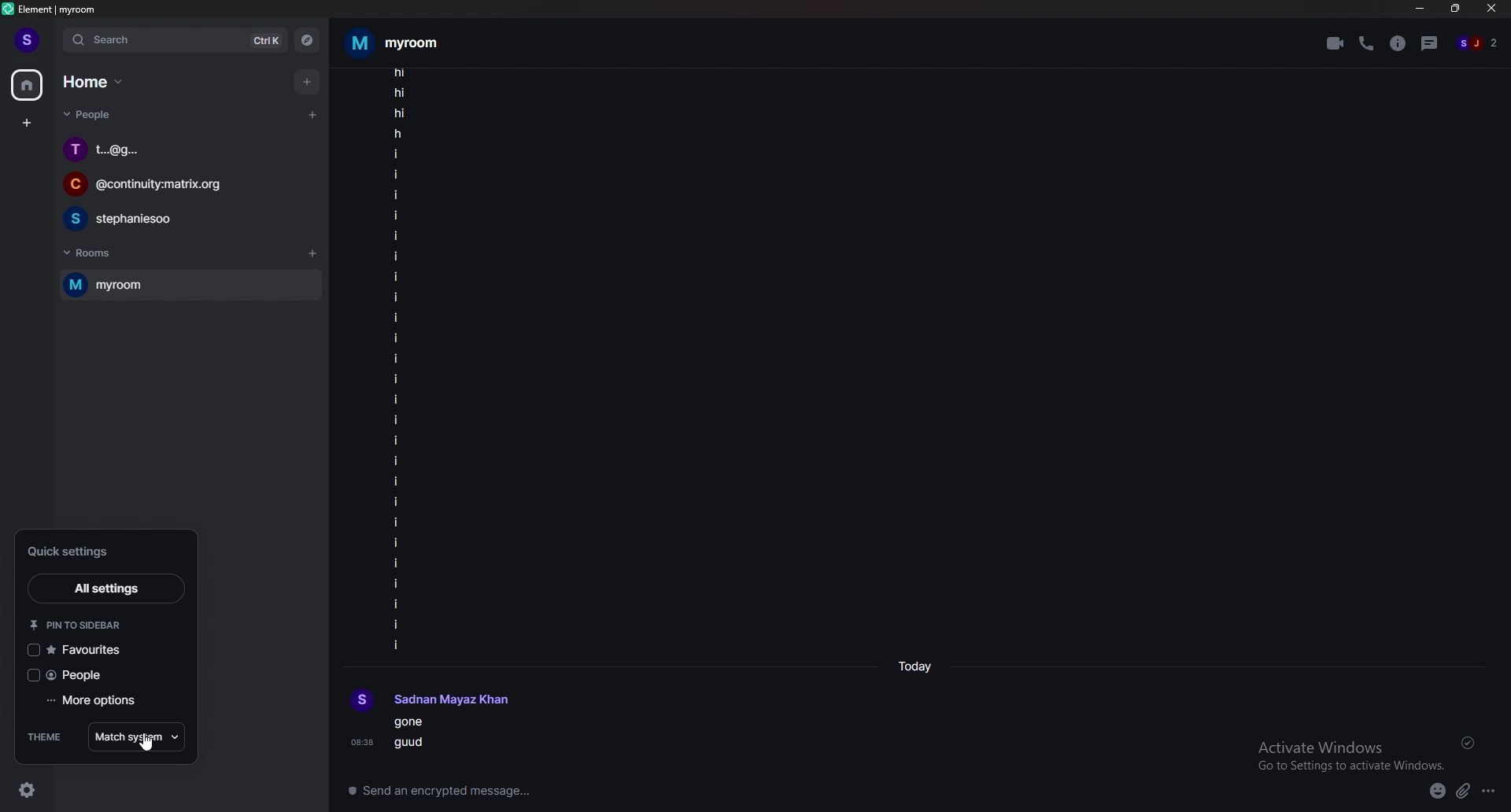 The height and width of the screenshot is (812, 1511). What do you see at coordinates (1400, 42) in the screenshot?
I see `room info` at bounding box center [1400, 42].